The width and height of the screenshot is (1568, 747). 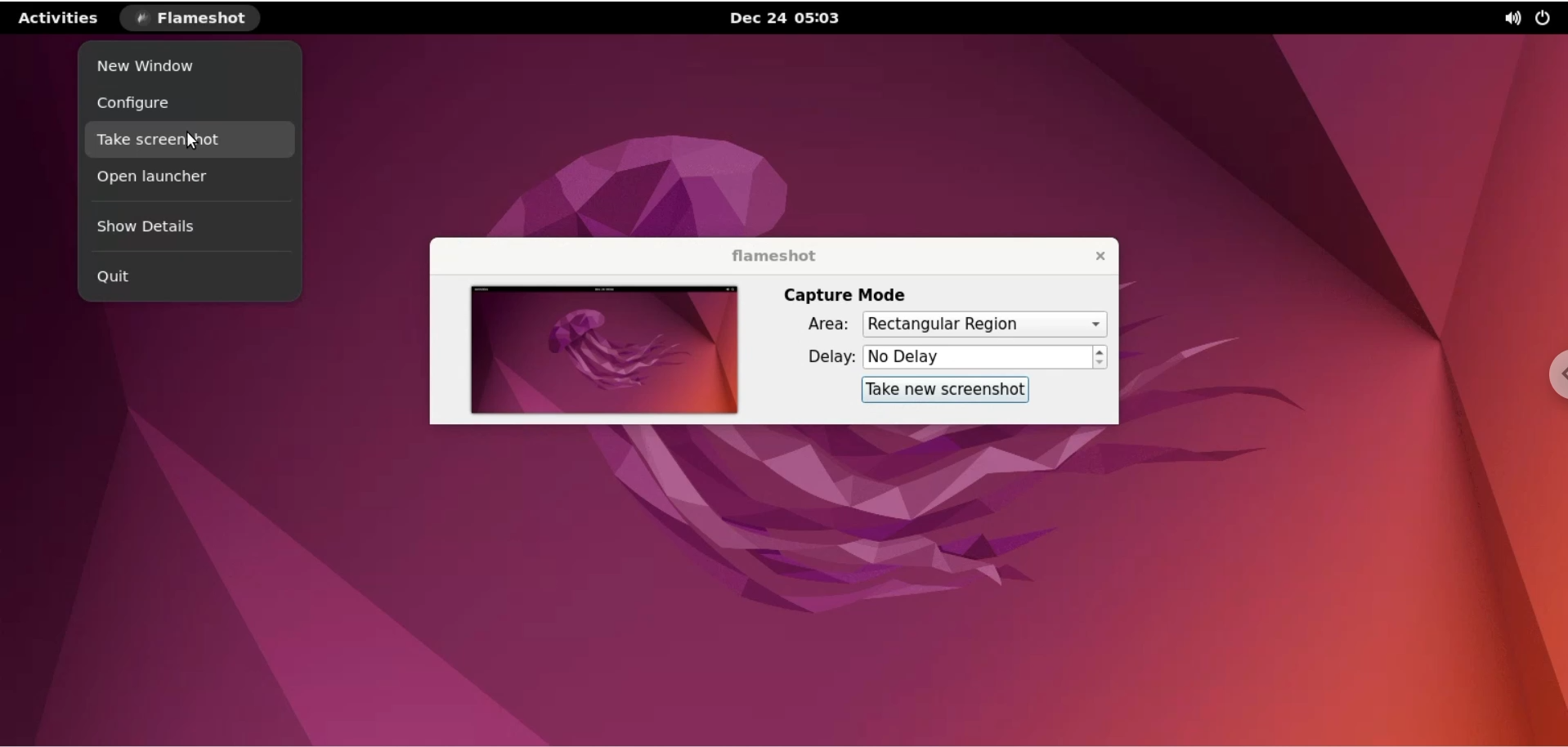 What do you see at coordinates (821, 324) in the screenshot?
I see `area:` at bounding box center [821, 324].